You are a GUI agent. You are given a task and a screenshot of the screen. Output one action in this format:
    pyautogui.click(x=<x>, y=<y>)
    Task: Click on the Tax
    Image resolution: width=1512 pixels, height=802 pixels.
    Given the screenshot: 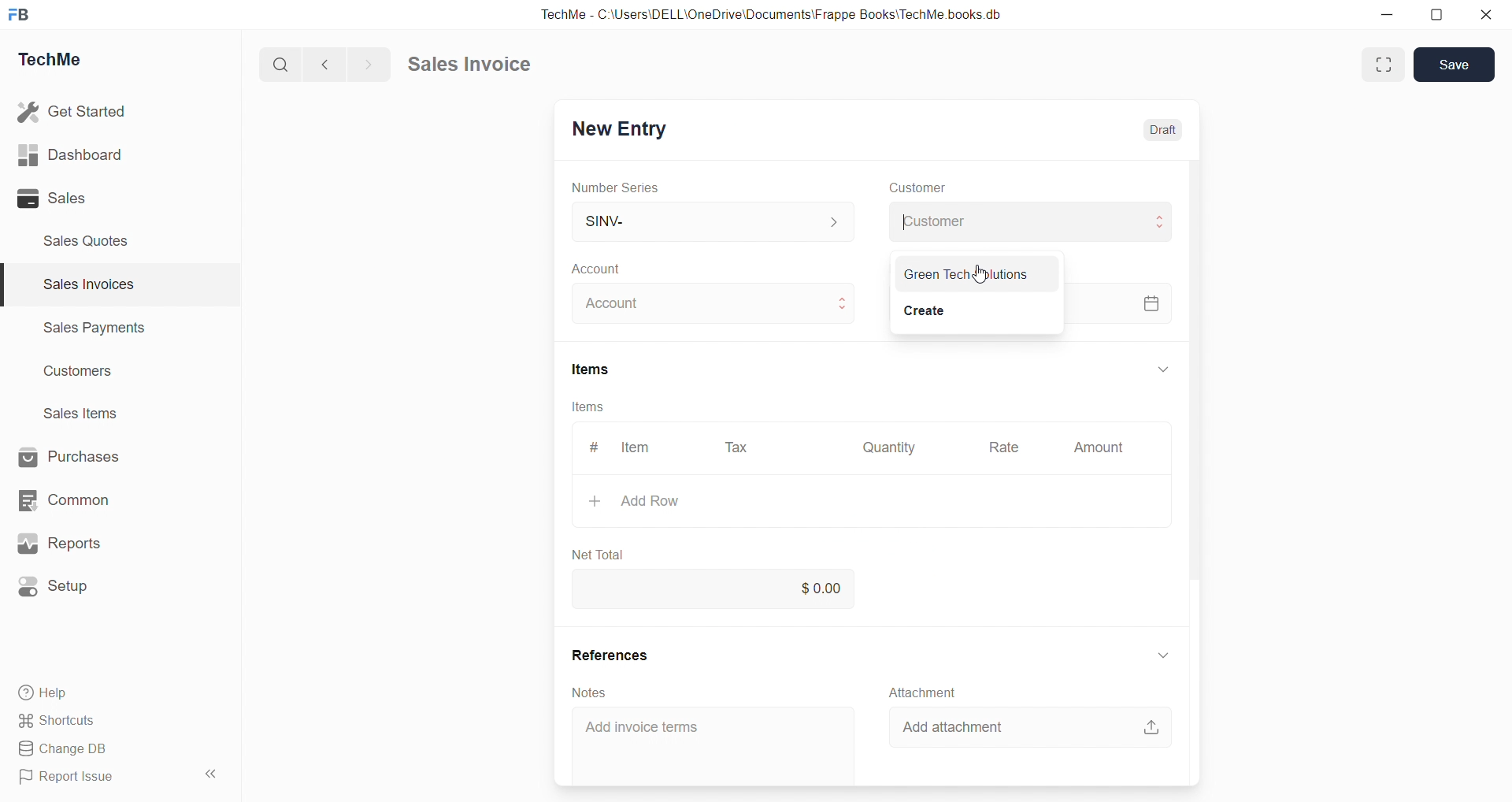 What is the action you would take?
    pyautogui.click(x=736, y=448)
    